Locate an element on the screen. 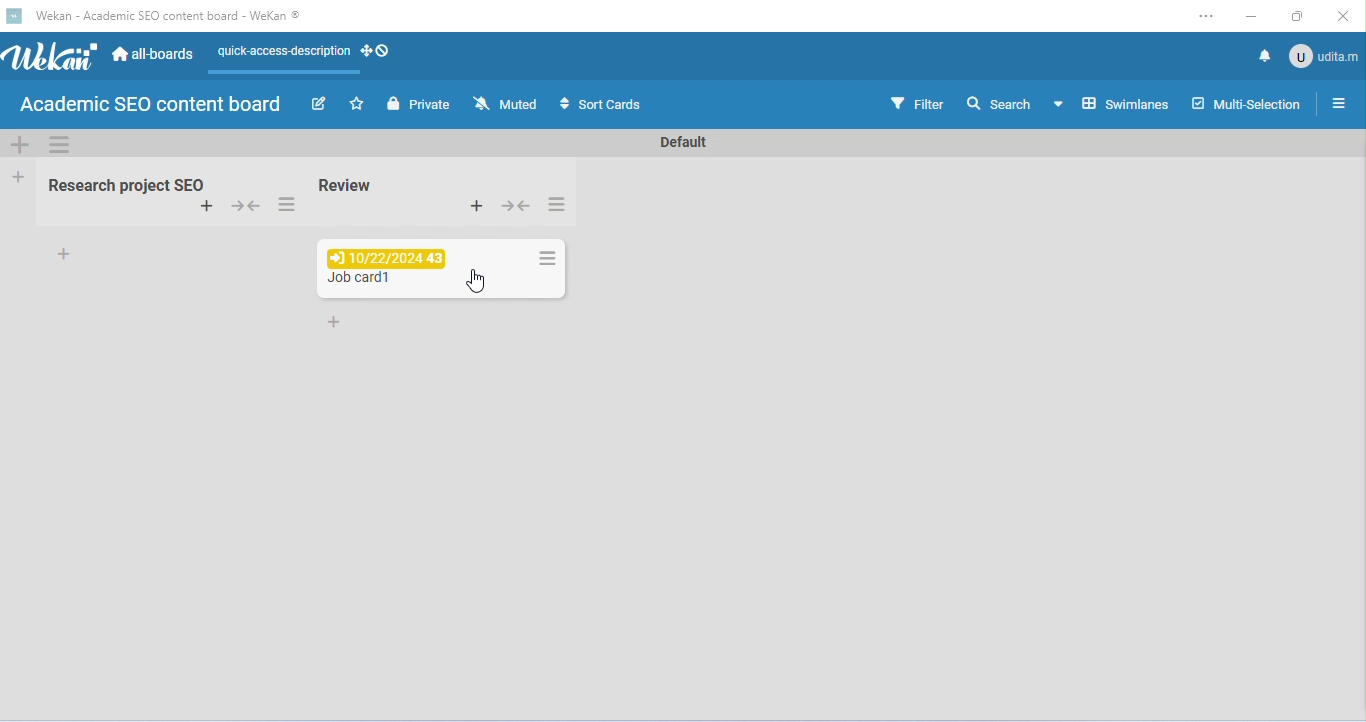  collapse is located at coordinates (248, 208).